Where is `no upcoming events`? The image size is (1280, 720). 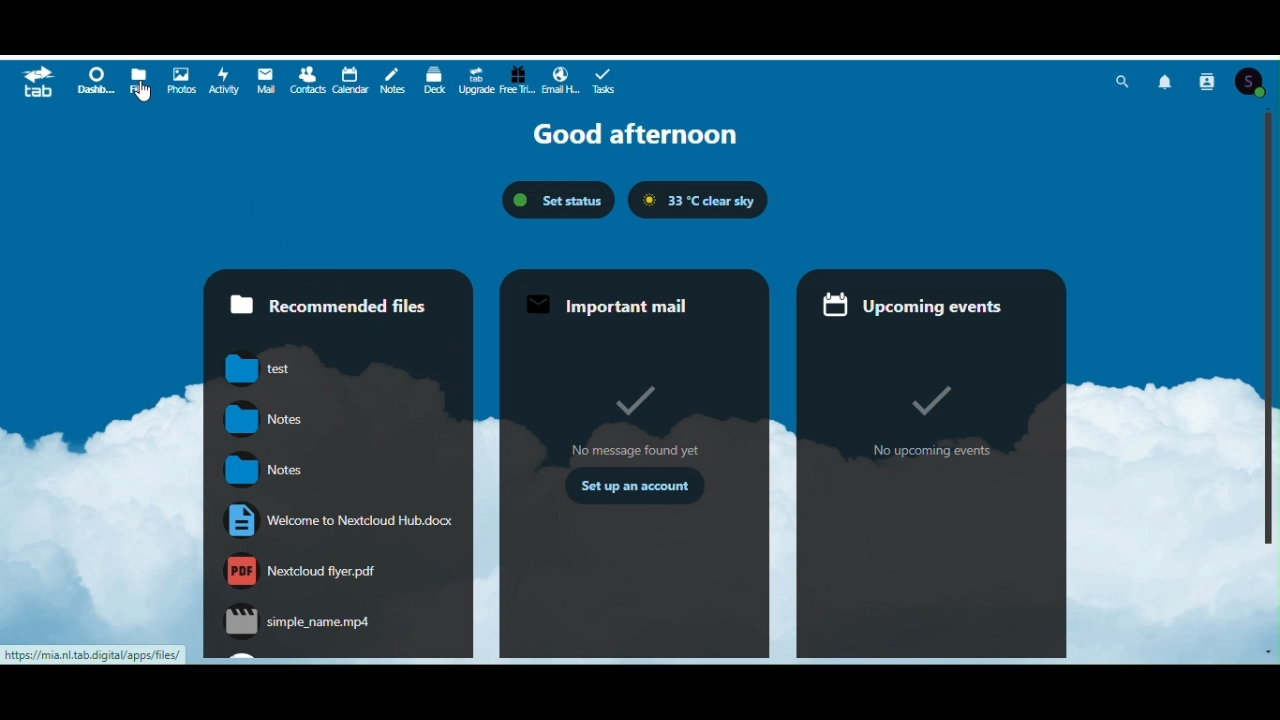 no upcoming events is located at coordinates (928, 420).